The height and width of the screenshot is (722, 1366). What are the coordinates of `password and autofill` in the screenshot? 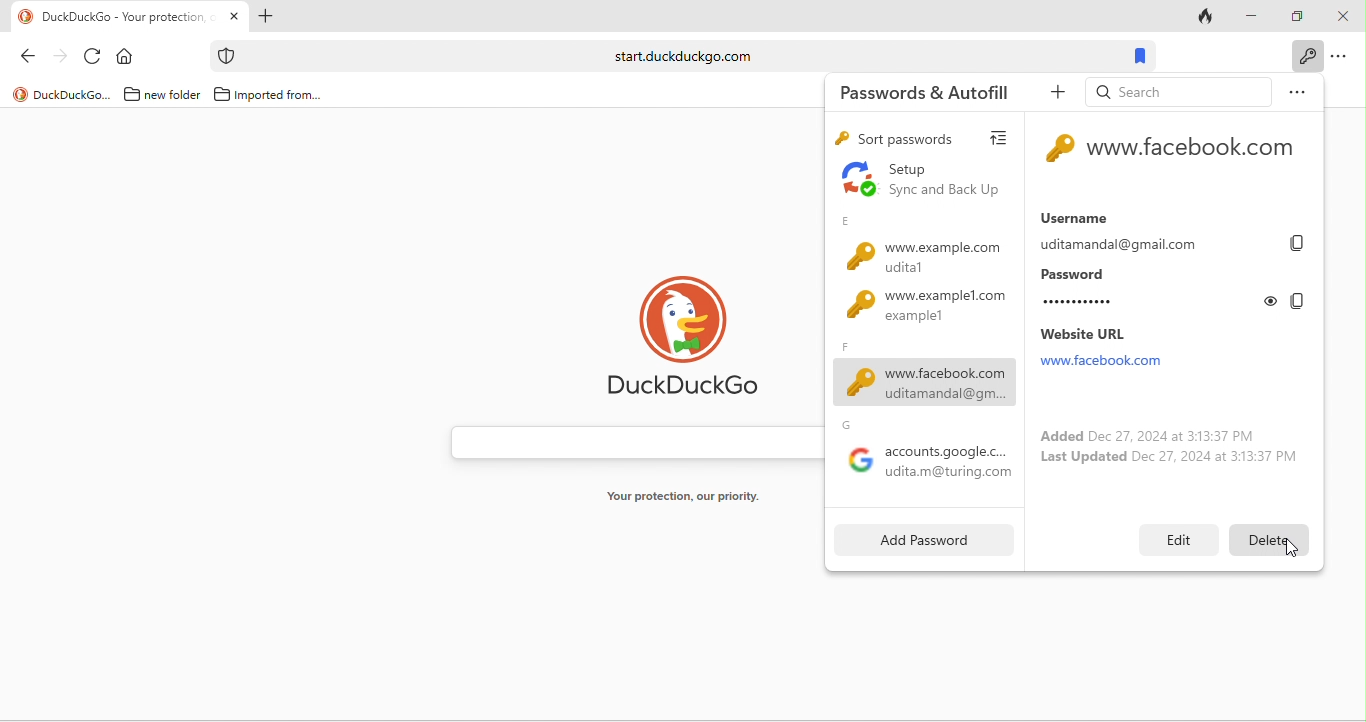 It's located at (924, 93).